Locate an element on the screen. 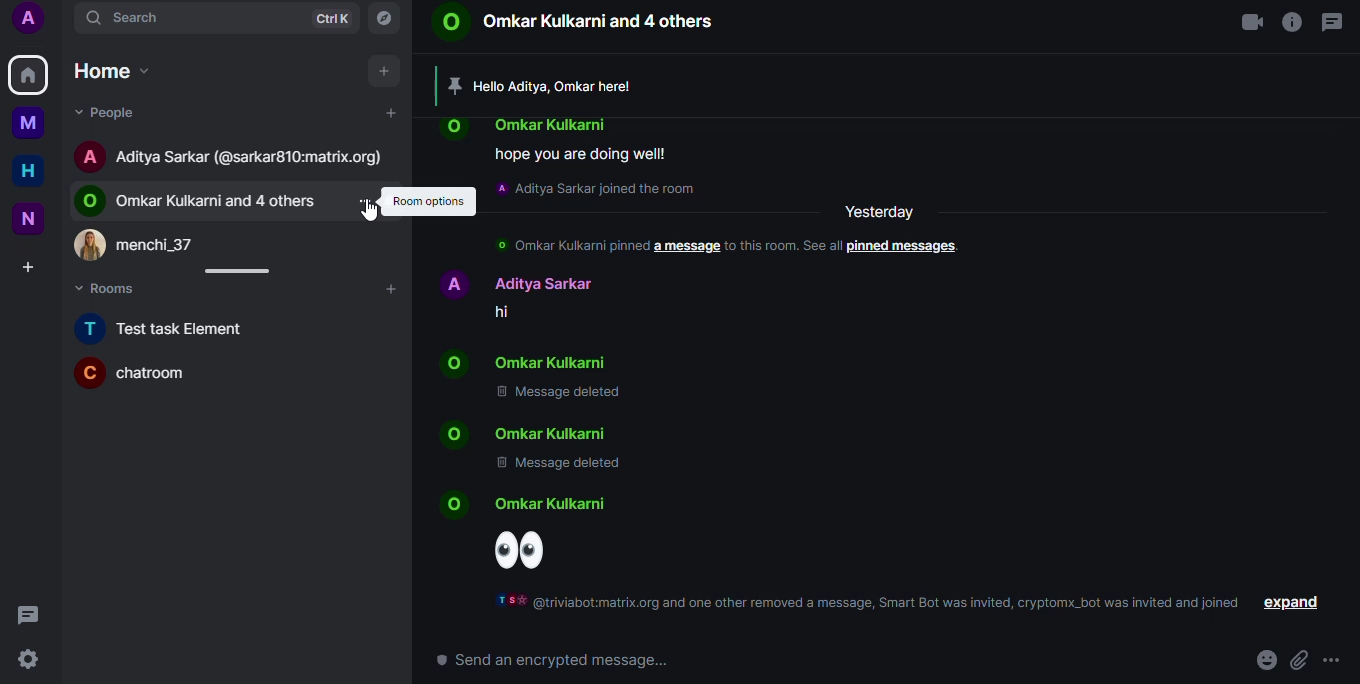 Image resolution: width=1360 pixels, height=684 pixels. info is located at coordinates (568, 246).